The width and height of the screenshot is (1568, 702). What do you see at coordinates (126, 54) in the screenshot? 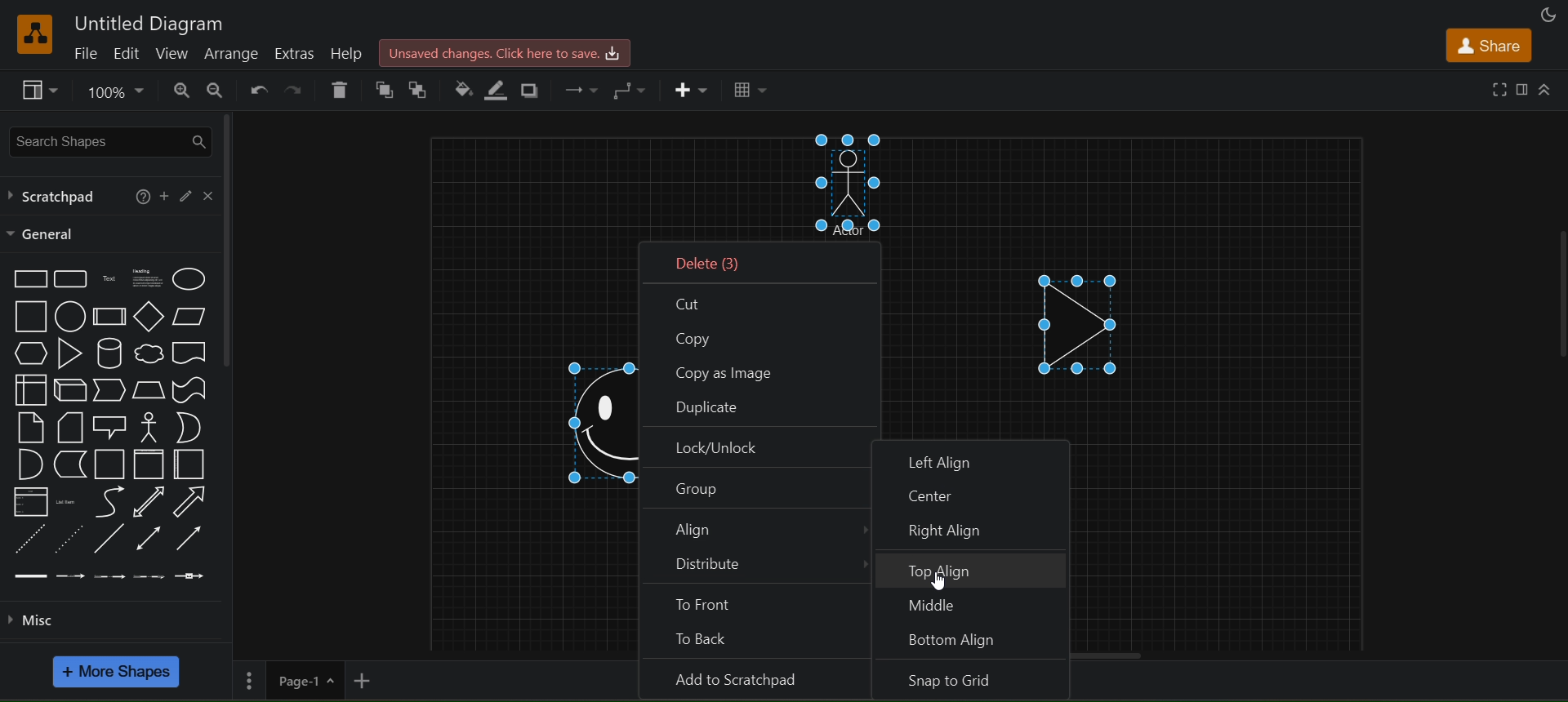
I see `edit` at bounding box center [126, 54].